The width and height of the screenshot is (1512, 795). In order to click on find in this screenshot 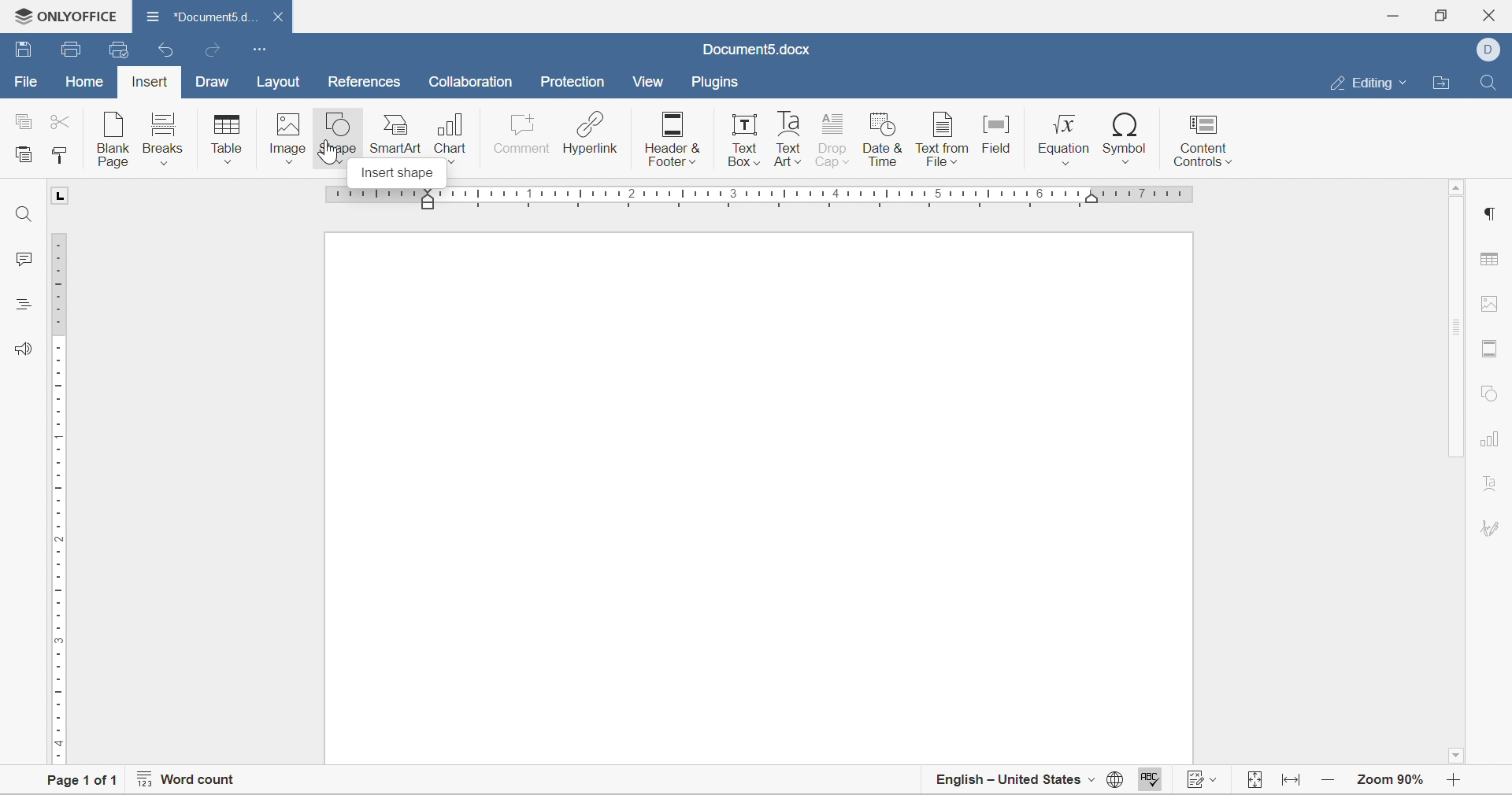, I will do `click(1488, 81)`.